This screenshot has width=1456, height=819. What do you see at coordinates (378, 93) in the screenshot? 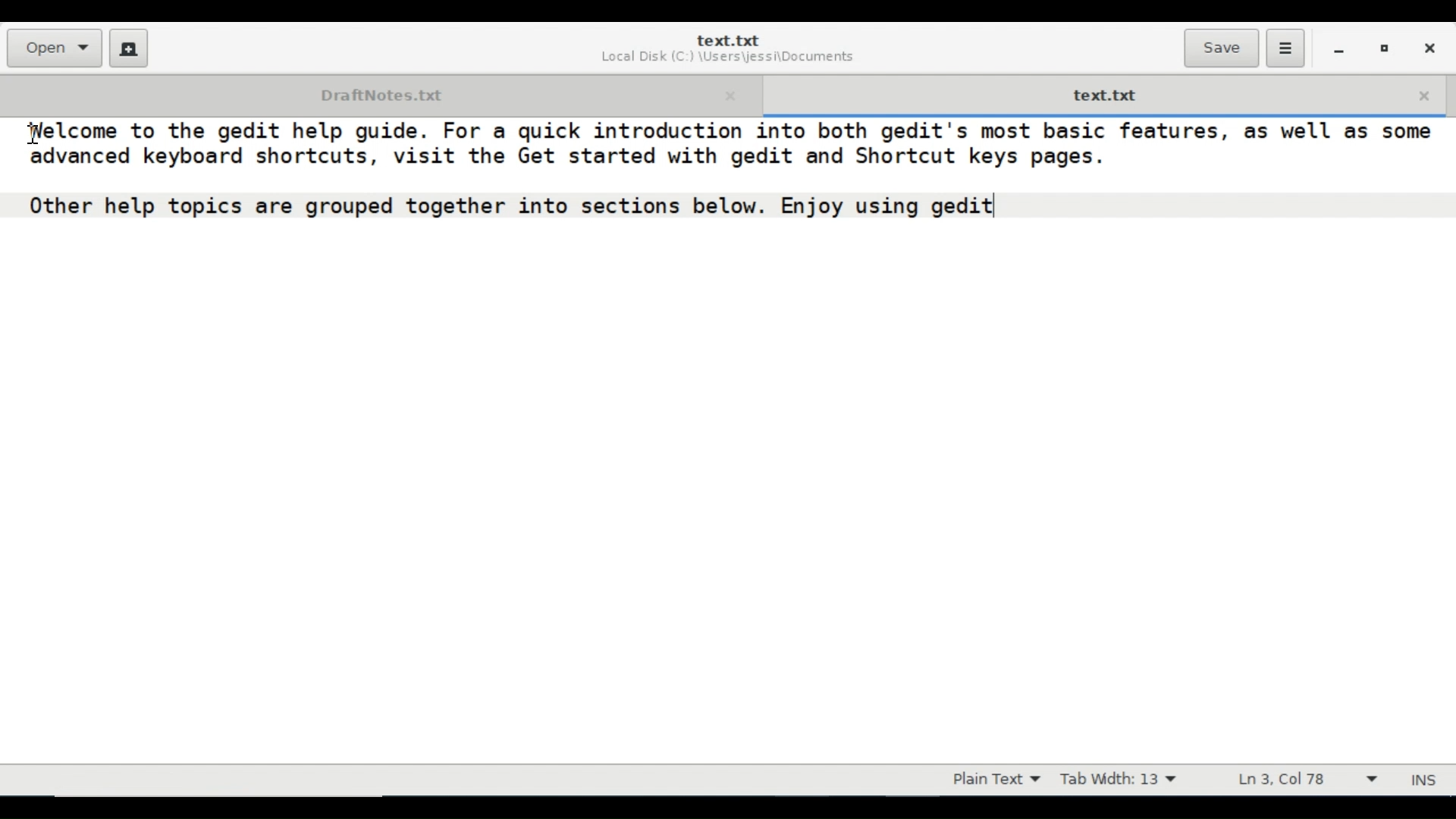
I see `Open Tab` at bounding box center [378, 93].